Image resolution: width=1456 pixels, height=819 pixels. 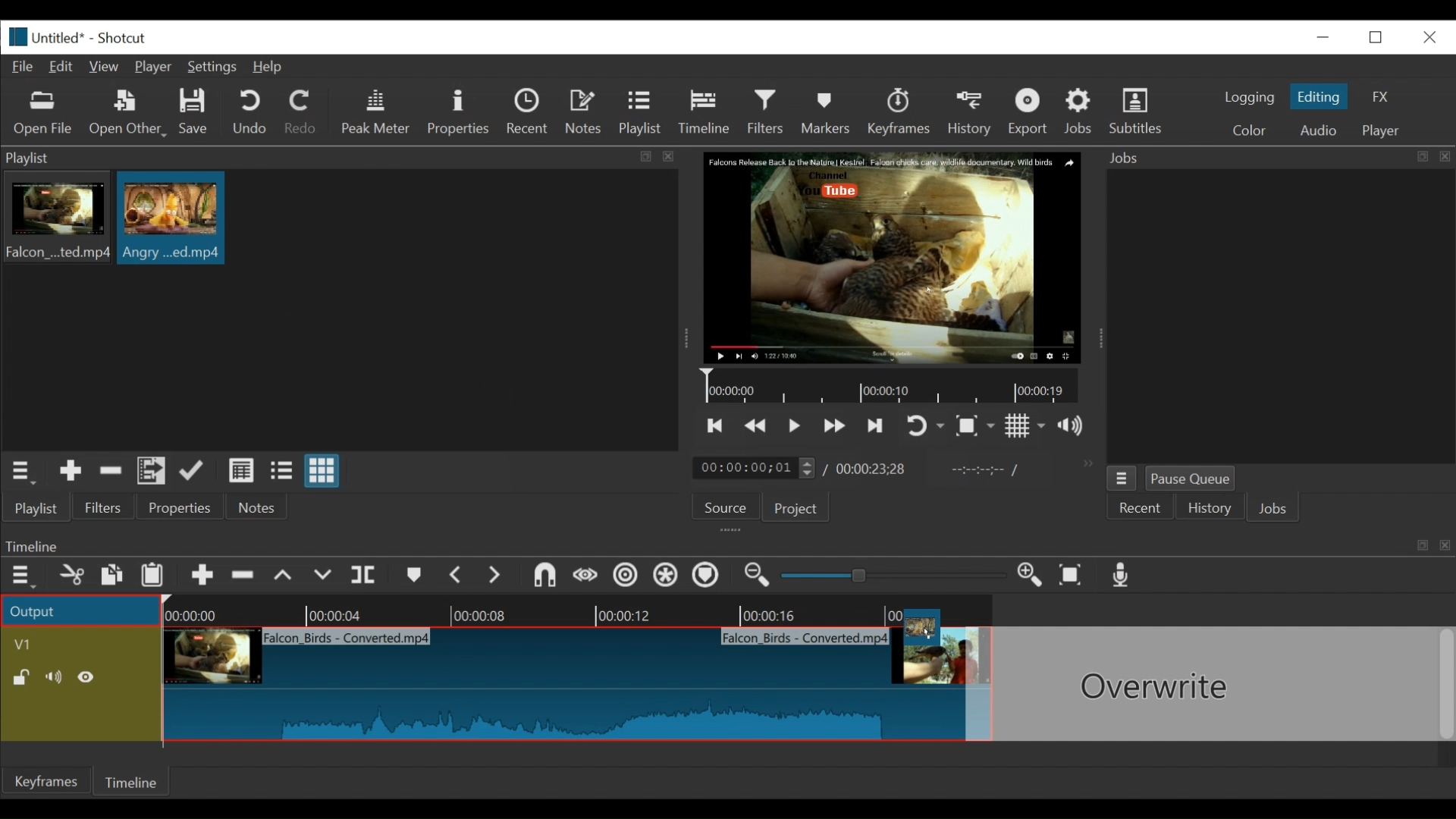 What do you see at coordinates (320, 472) in the screenshot?
I see `view as icons` at bounding box center [320, 472].